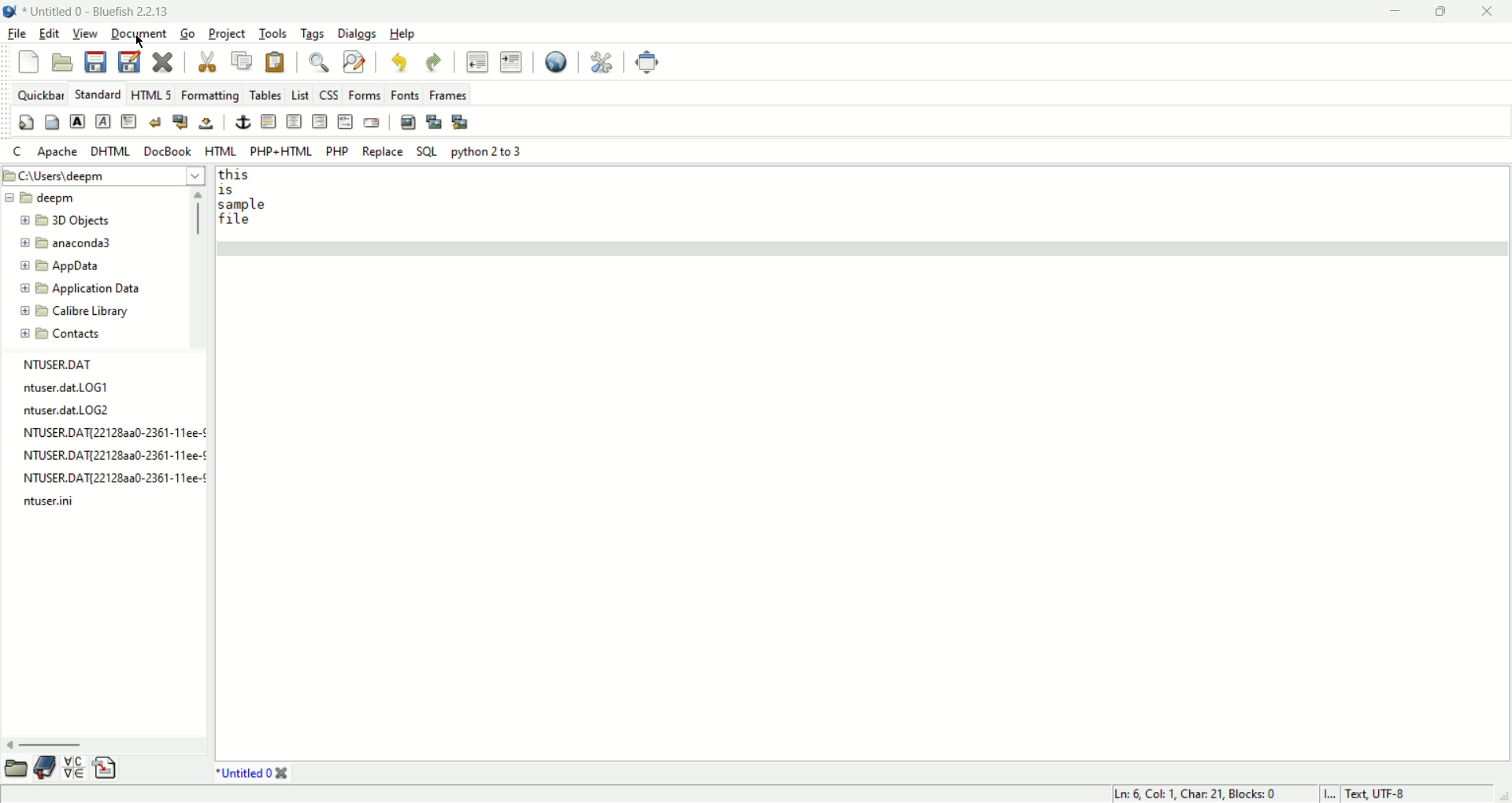 This screenshot has width=1512, height=803. I want to click on workspace, so click(862, 462).